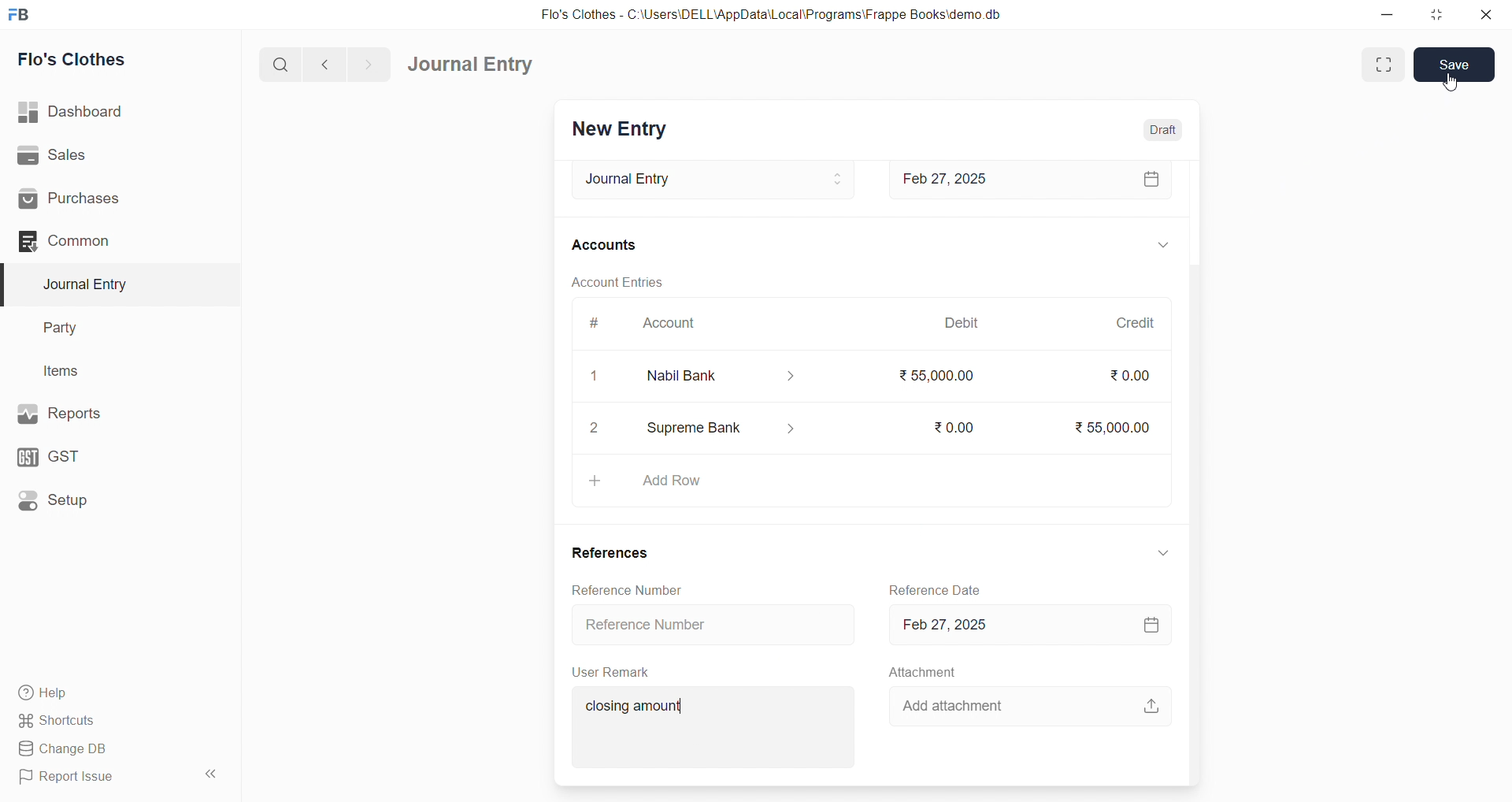 Image resolution: width=1512 pixels, height=802 pixels. What do you see at coordinates (278, 66) in the screenshot?
I see `search` at bounding box center [278, 66].